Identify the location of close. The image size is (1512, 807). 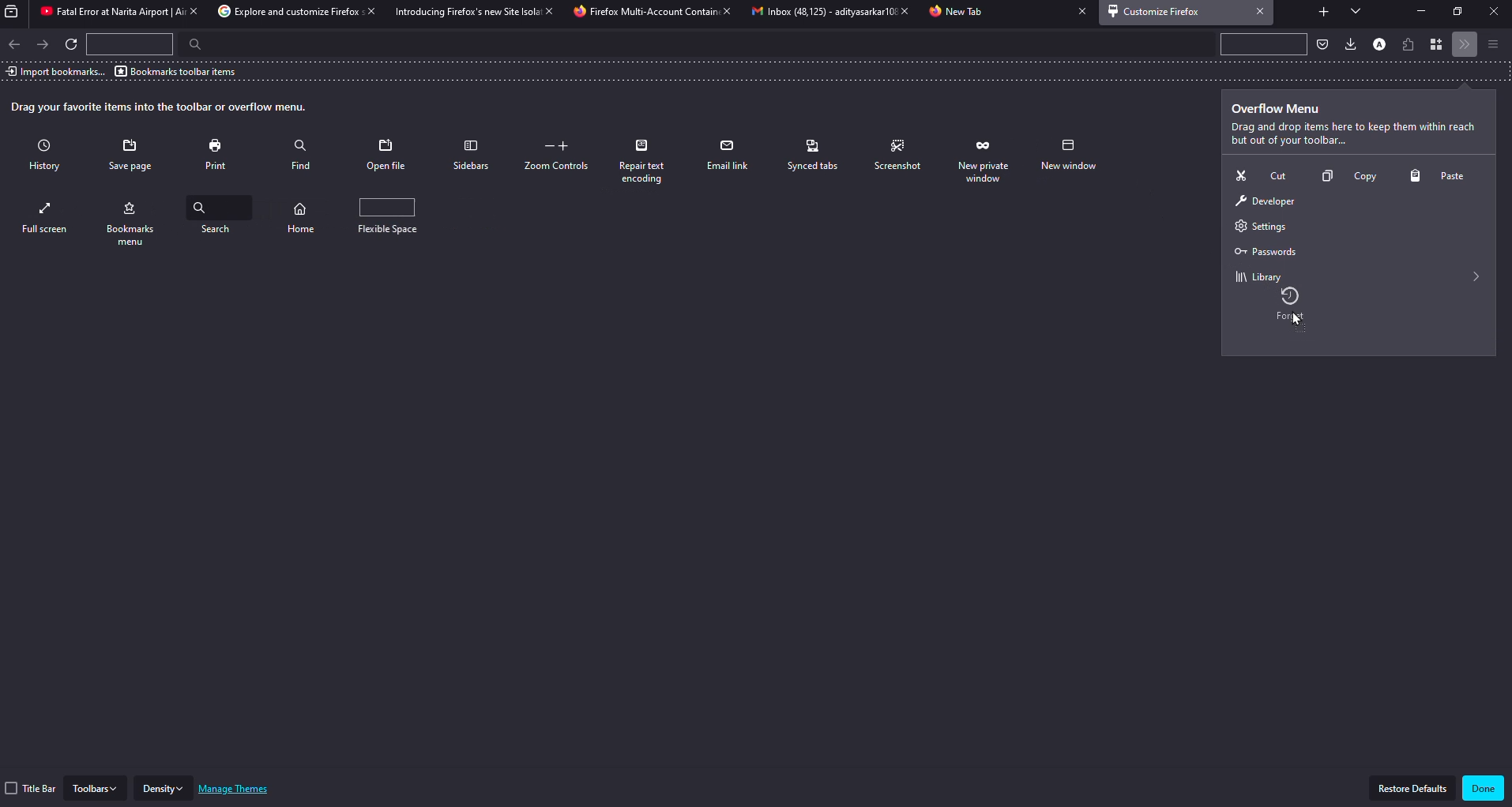
(1261, 11).